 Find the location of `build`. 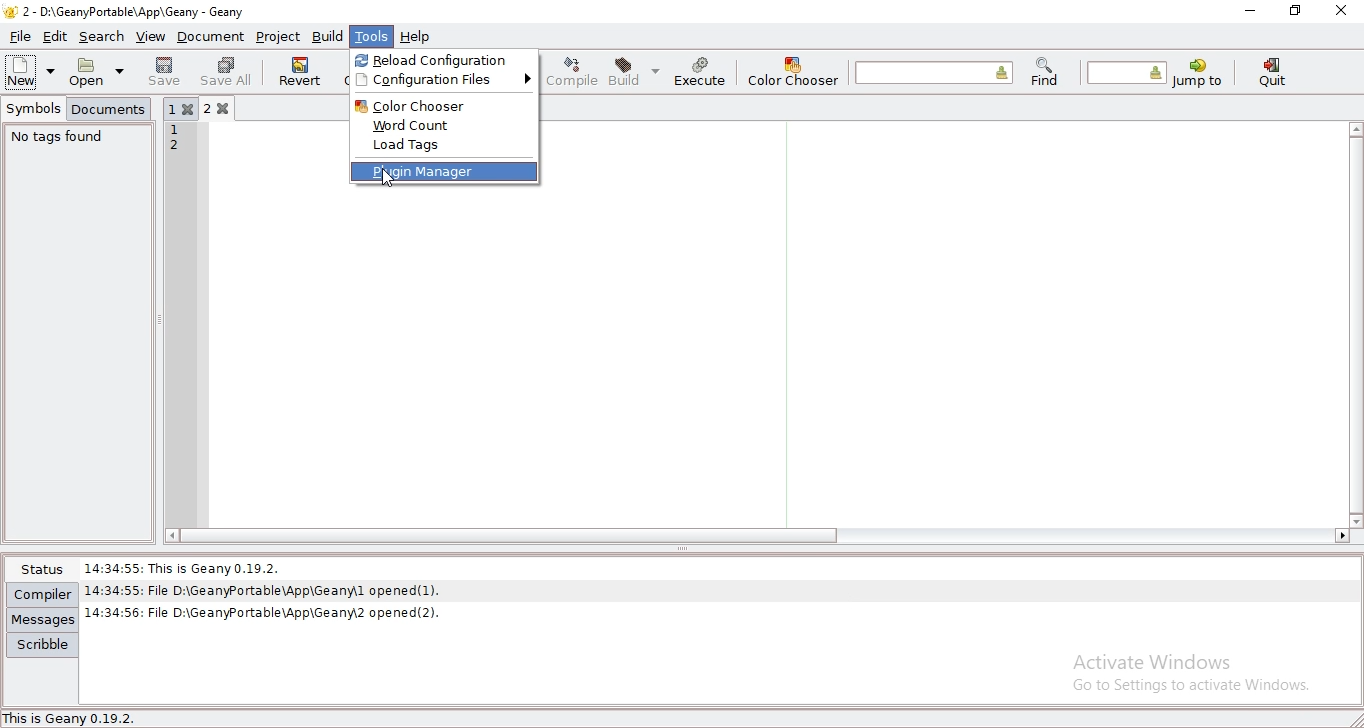

build is located at coordinates (631, 71).